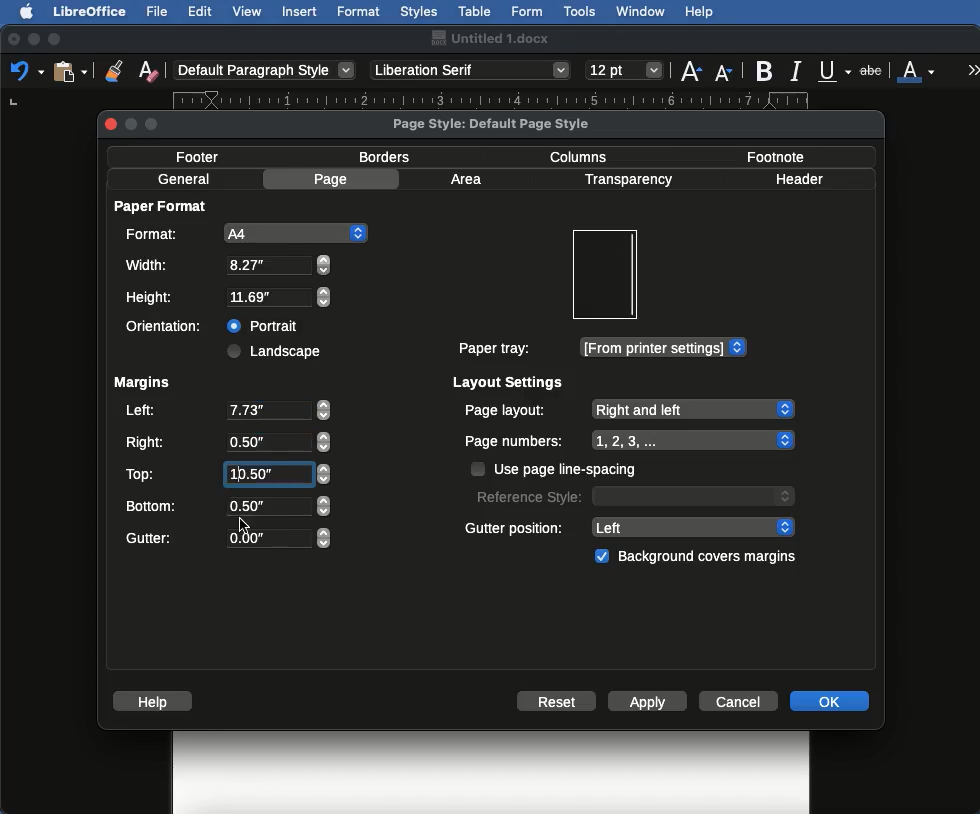 The height and width of the screenshot is (814, 980). I want to click on Transparency, so click(627, 180).